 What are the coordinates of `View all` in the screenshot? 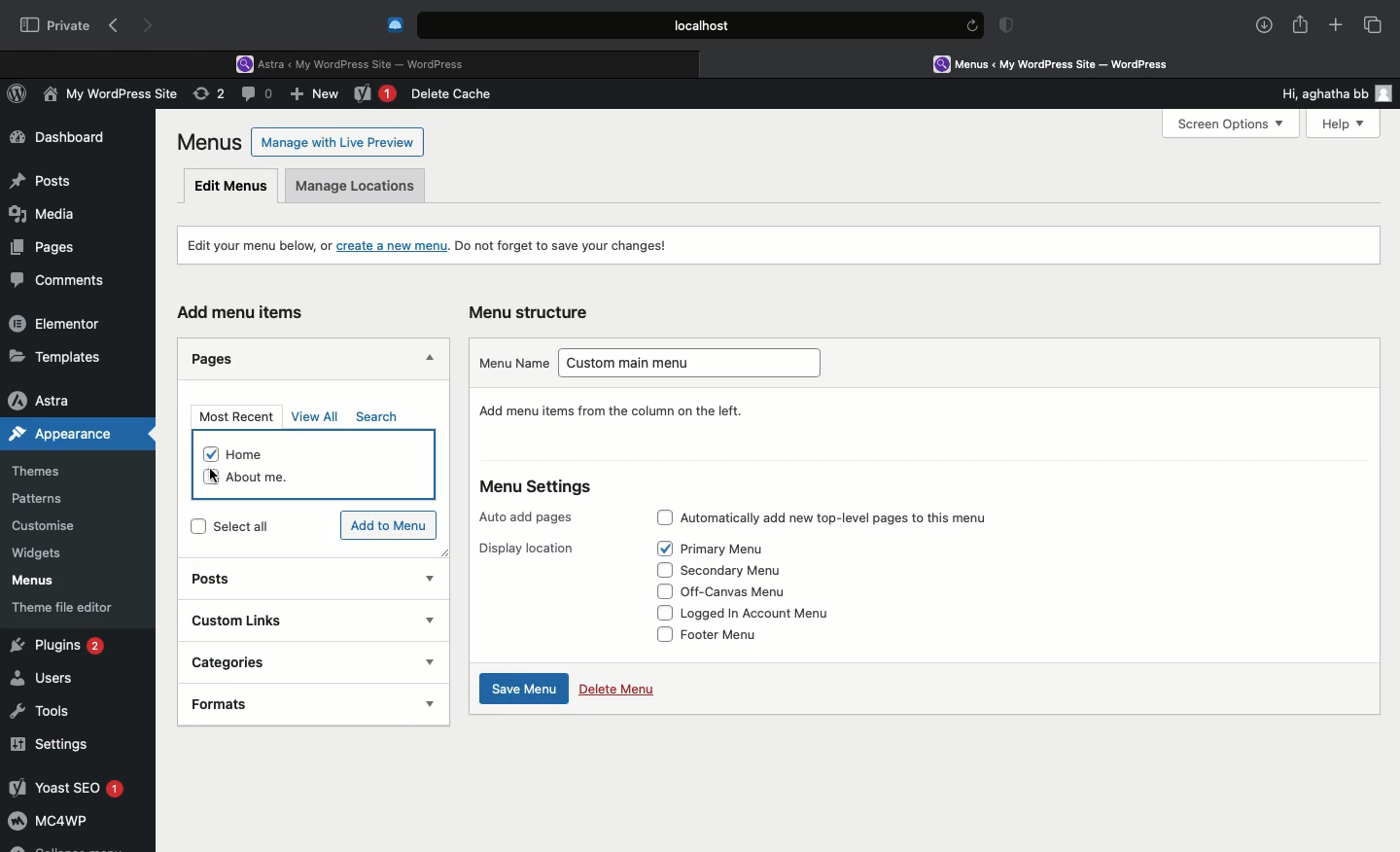 It's located at (317, 416).